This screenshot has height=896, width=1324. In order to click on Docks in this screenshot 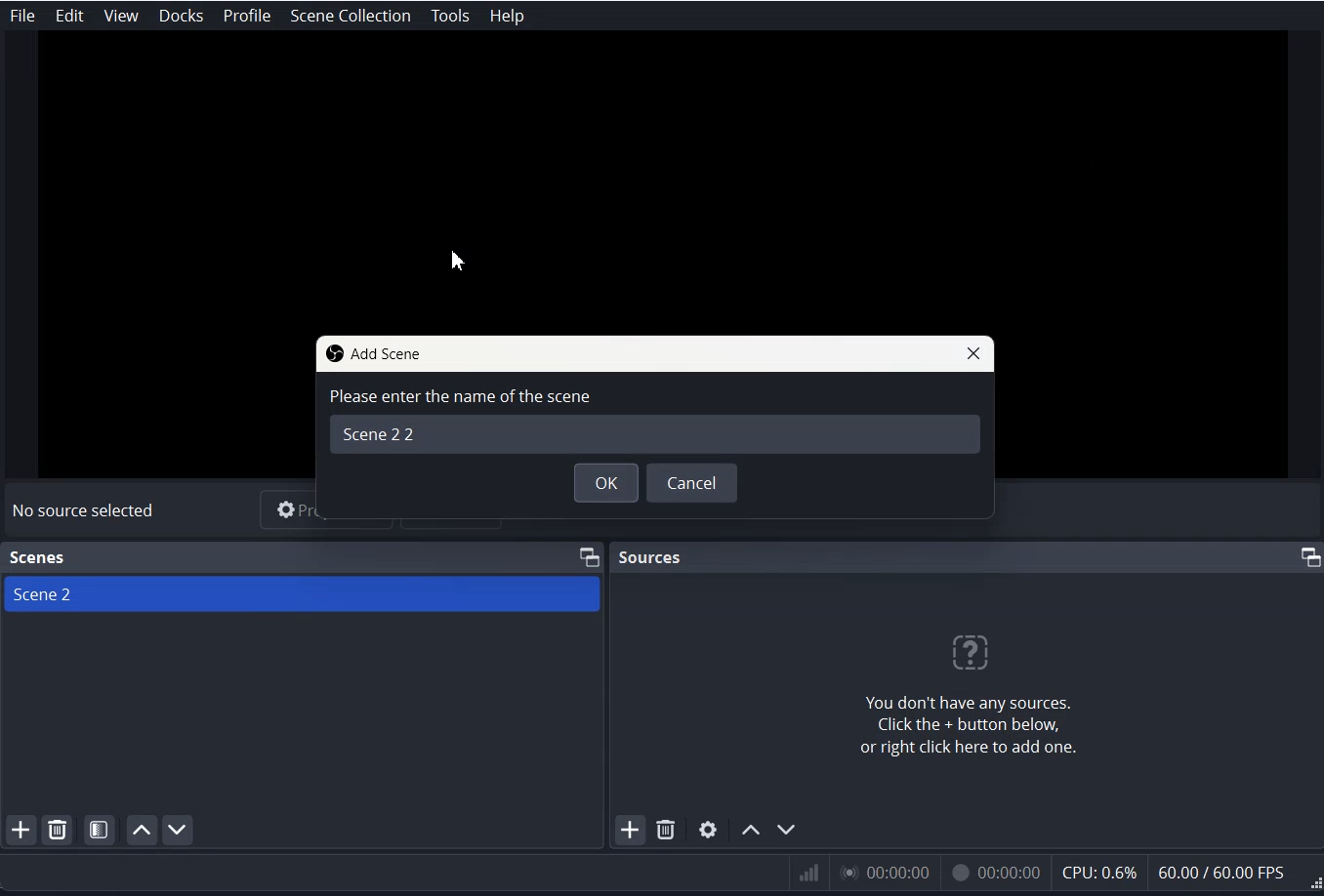, I will do `click(184, 16)`.